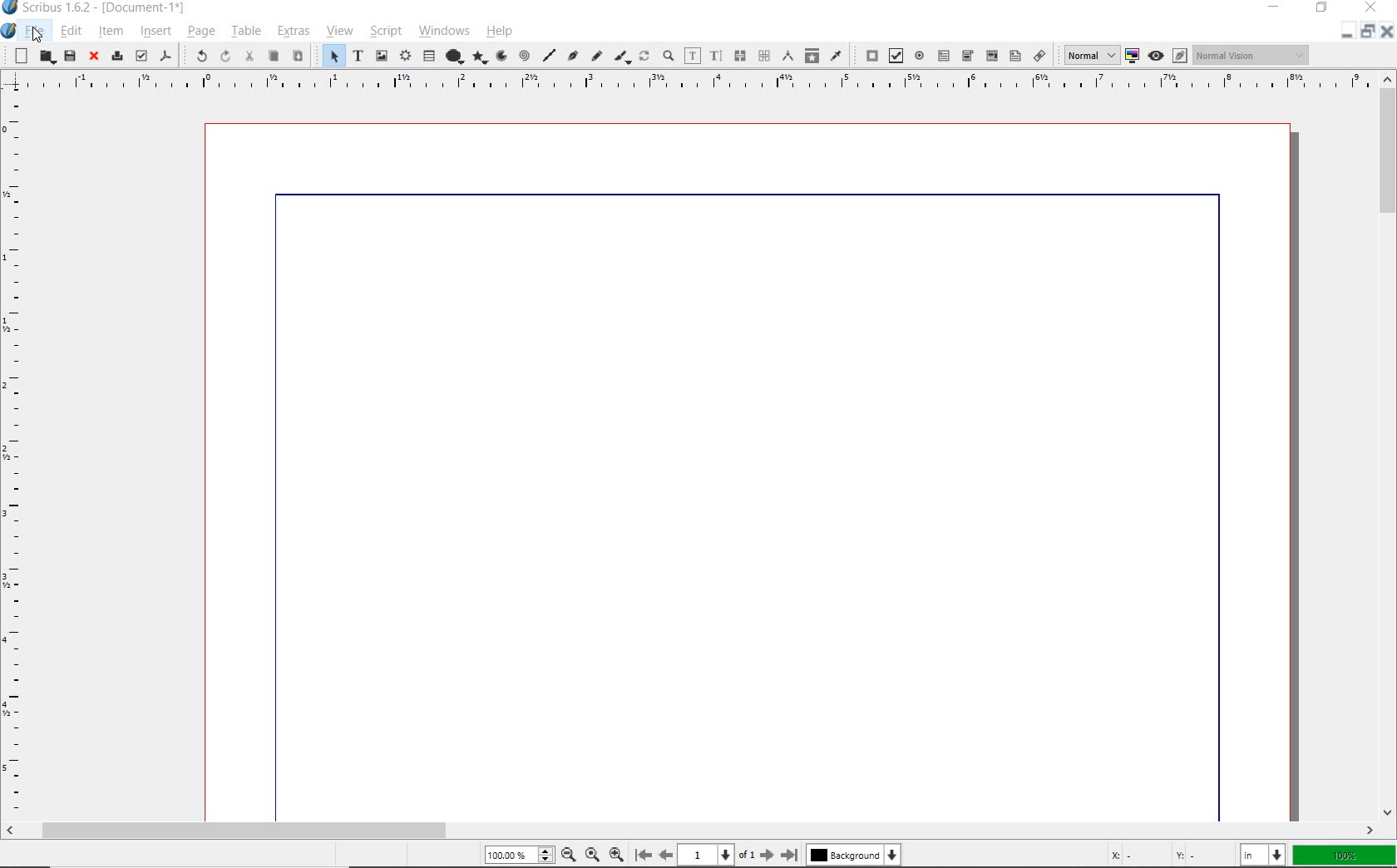  I want to click on scrollbar, so click(1389, 446).